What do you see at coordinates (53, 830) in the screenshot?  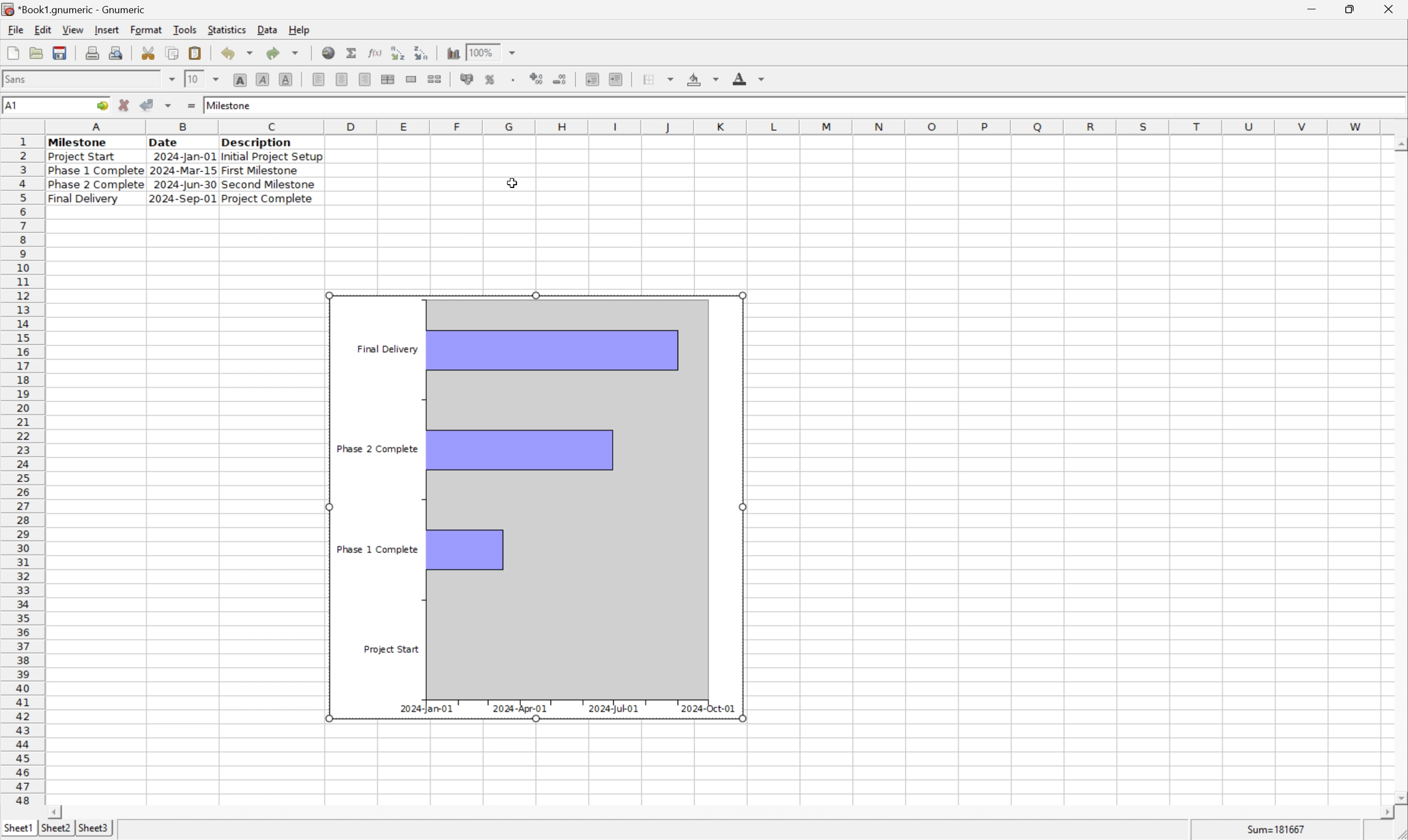 I see `sheet2` at bounding box center [53, 830].